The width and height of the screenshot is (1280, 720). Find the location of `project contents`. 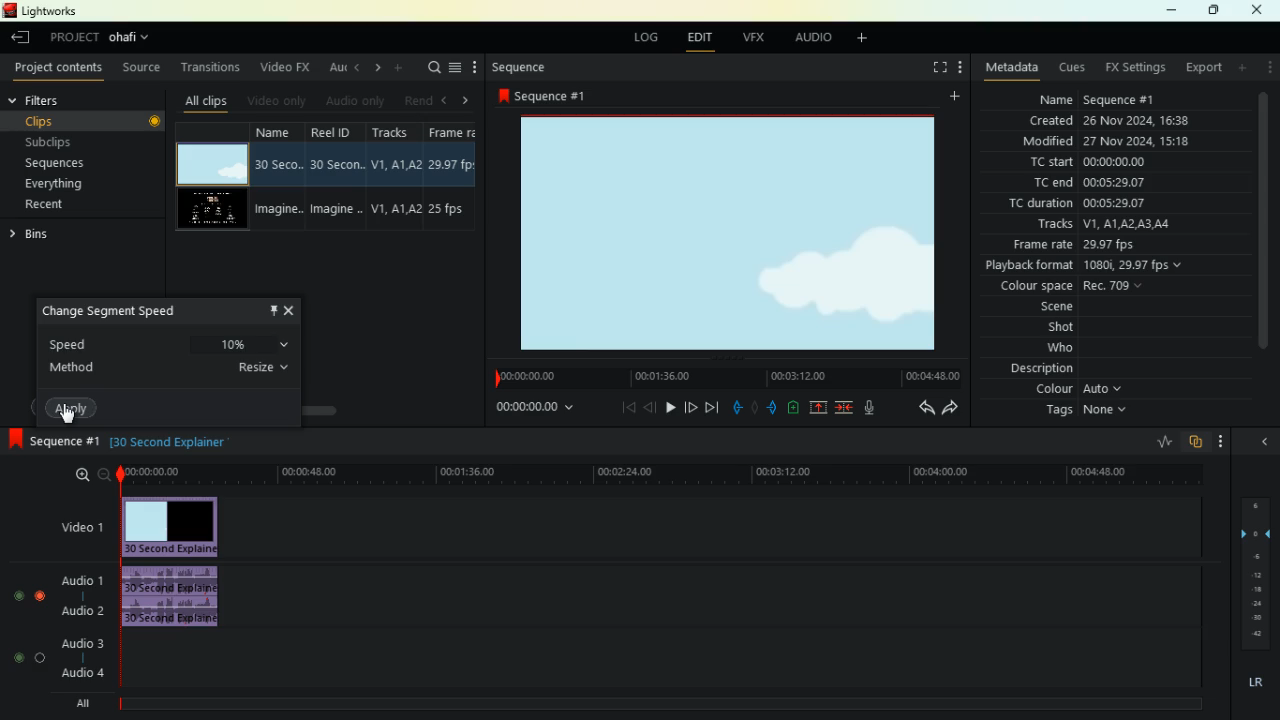

project contents is located at coordinates (63, 68).